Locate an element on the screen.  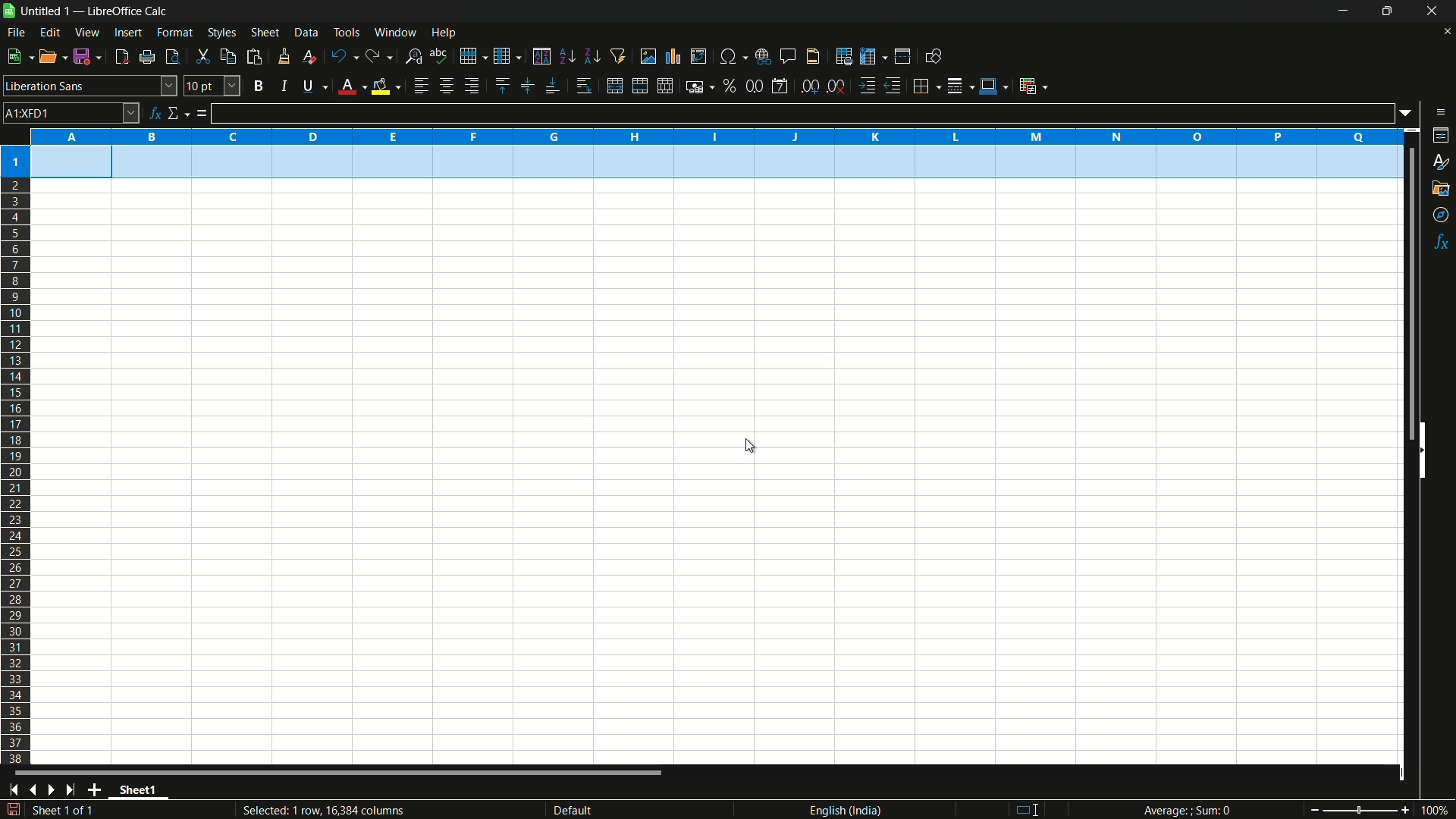
font color is located at coordinates (350, 87).